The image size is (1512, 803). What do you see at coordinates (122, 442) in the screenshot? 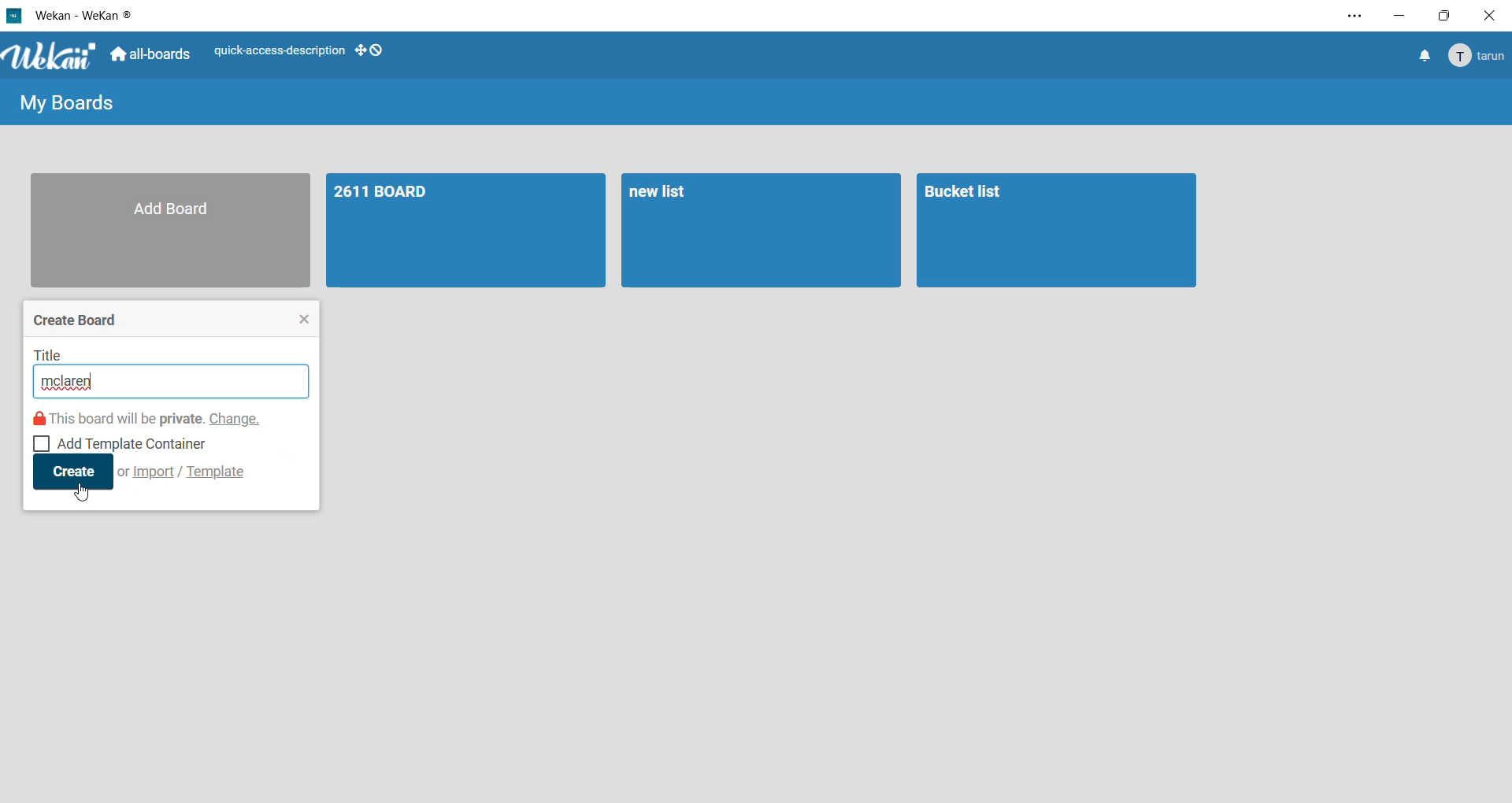
I see `add template container` at bounding box center [122, 442].